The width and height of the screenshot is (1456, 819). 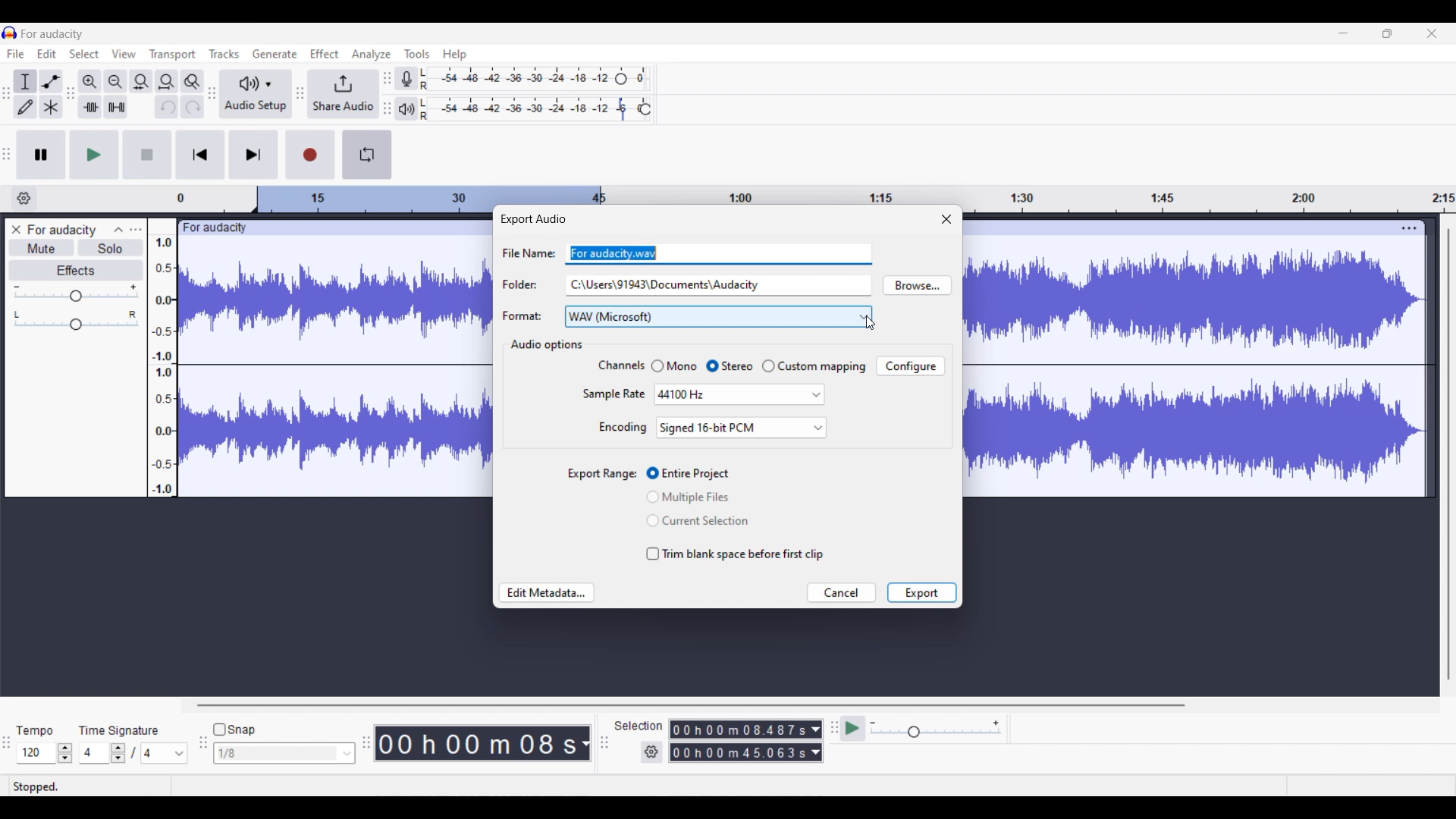 What do you see at coordinates (84, 54) in the screenshot?
I see `Select menu` at bounding box center [84, 54].